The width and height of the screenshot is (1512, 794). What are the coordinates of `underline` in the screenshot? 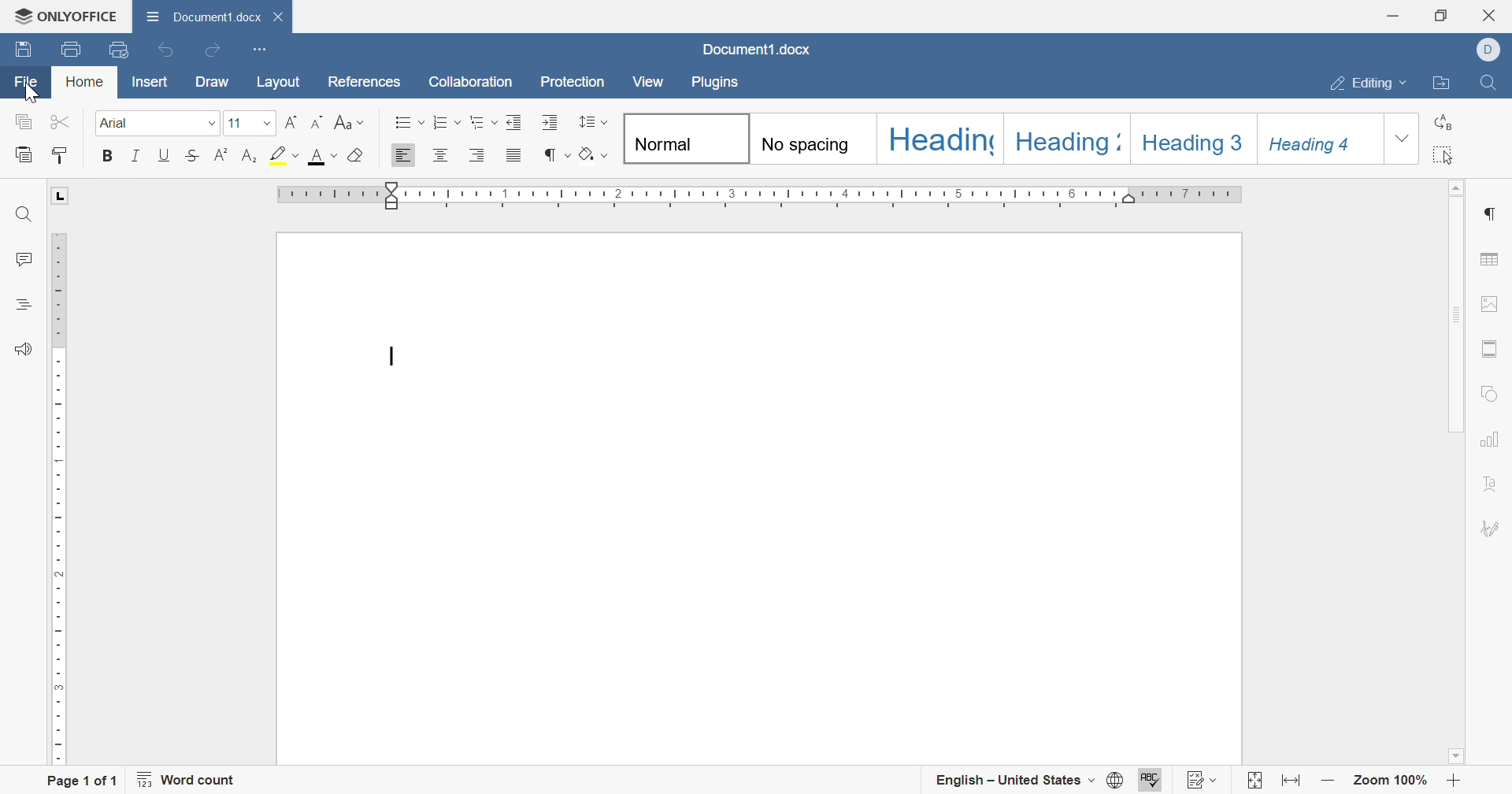 It's located at (165, 156).